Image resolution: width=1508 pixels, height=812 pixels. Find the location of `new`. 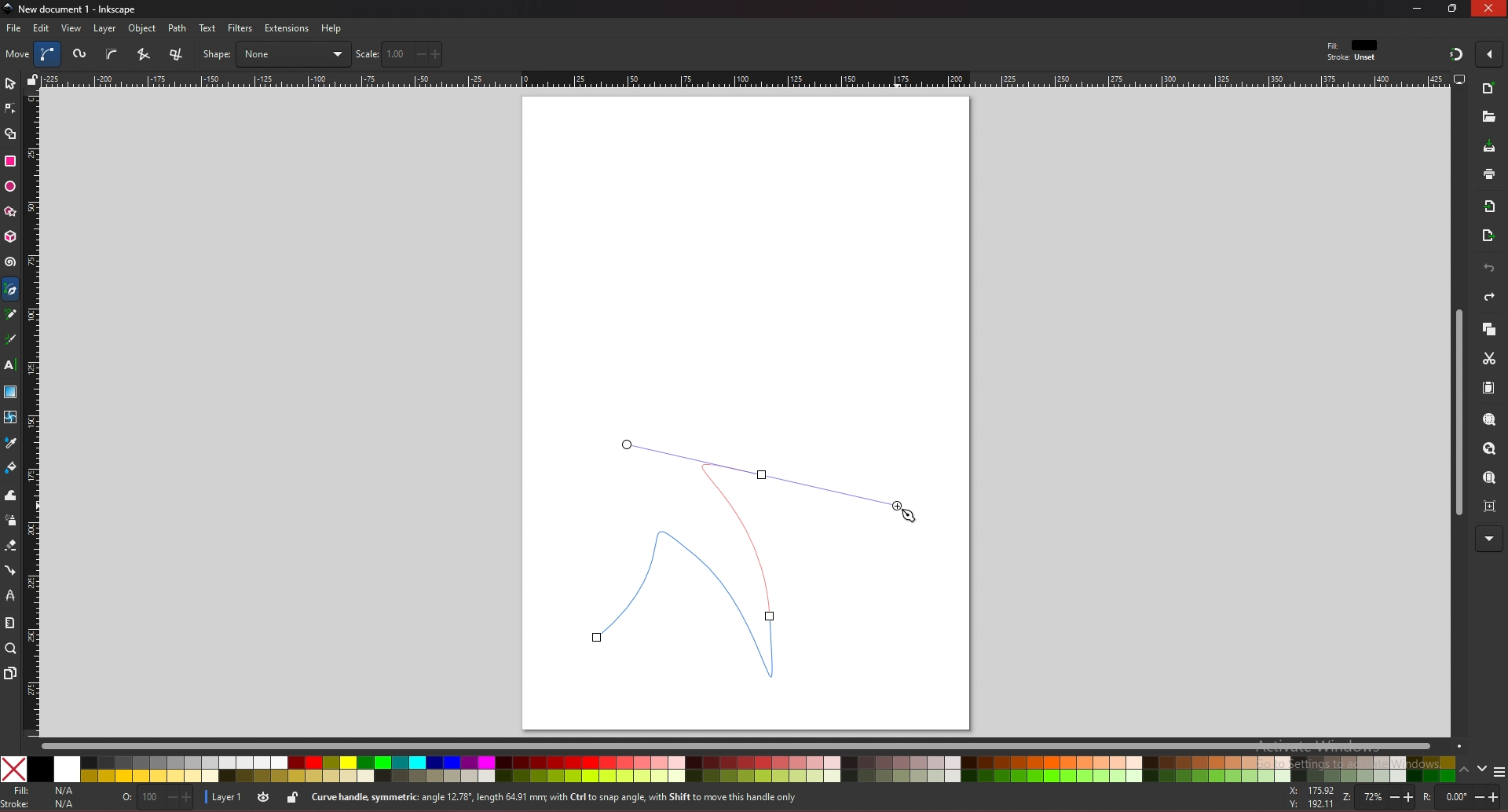

new is located at coordinates (1489, 90).